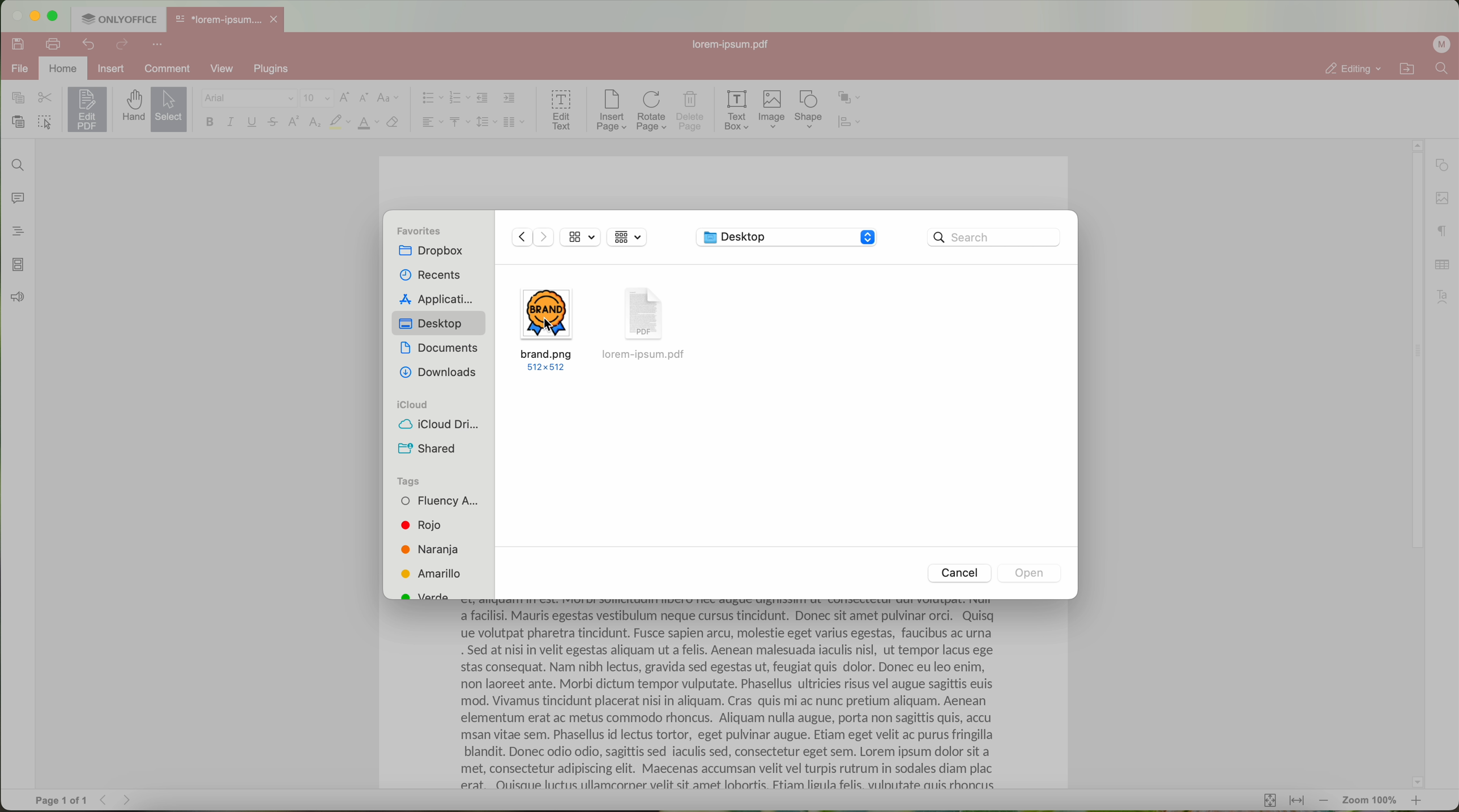 This screenshot has width=1459, height=812. I want to click on Forward, so click(545, 237).